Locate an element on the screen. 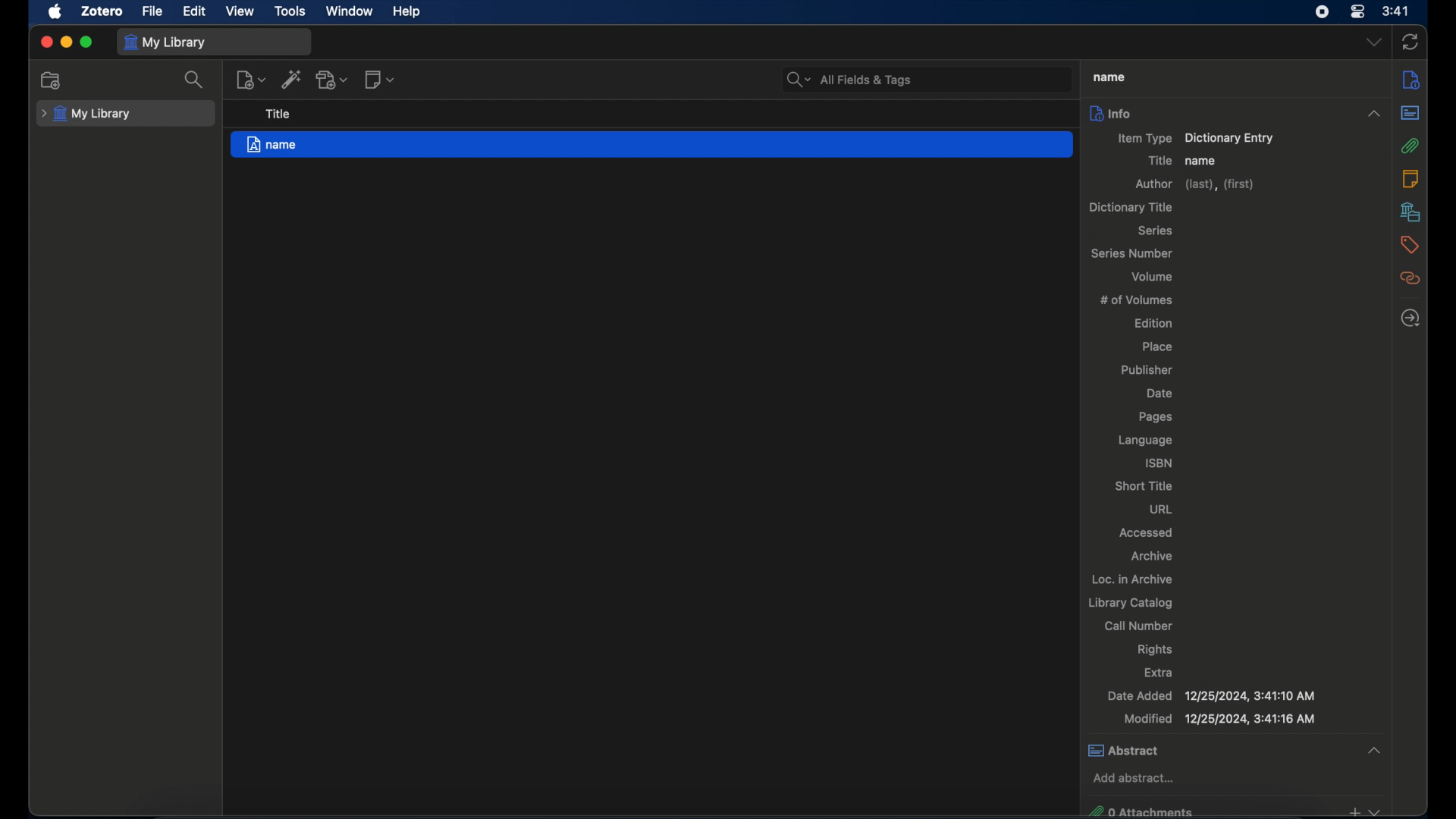  dictionary title is located at coordinates (1130, 207).